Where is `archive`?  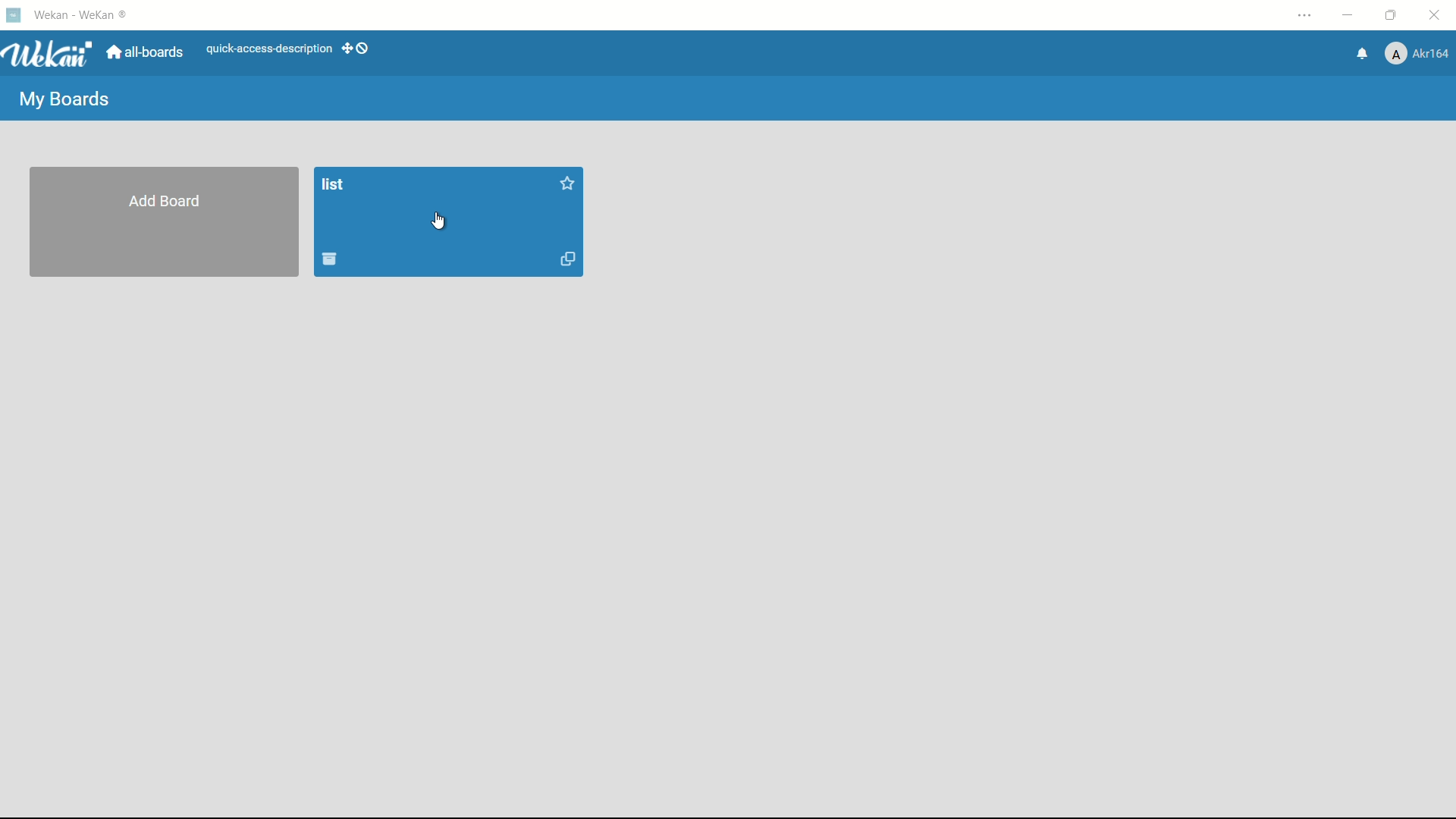 archive is located at coordinates (329, 259).